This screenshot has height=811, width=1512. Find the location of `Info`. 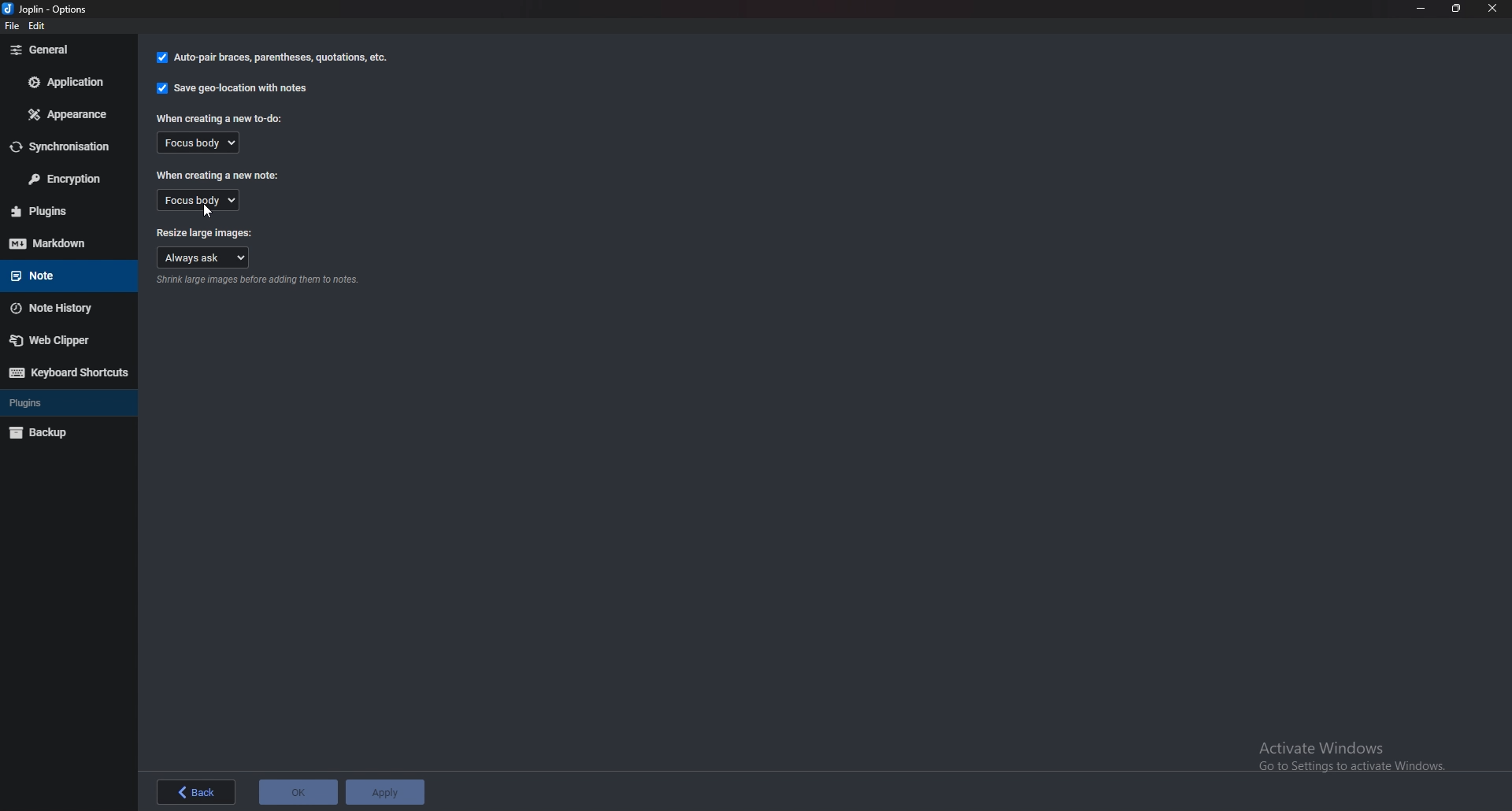

Info is located at coordinates (260, 282).